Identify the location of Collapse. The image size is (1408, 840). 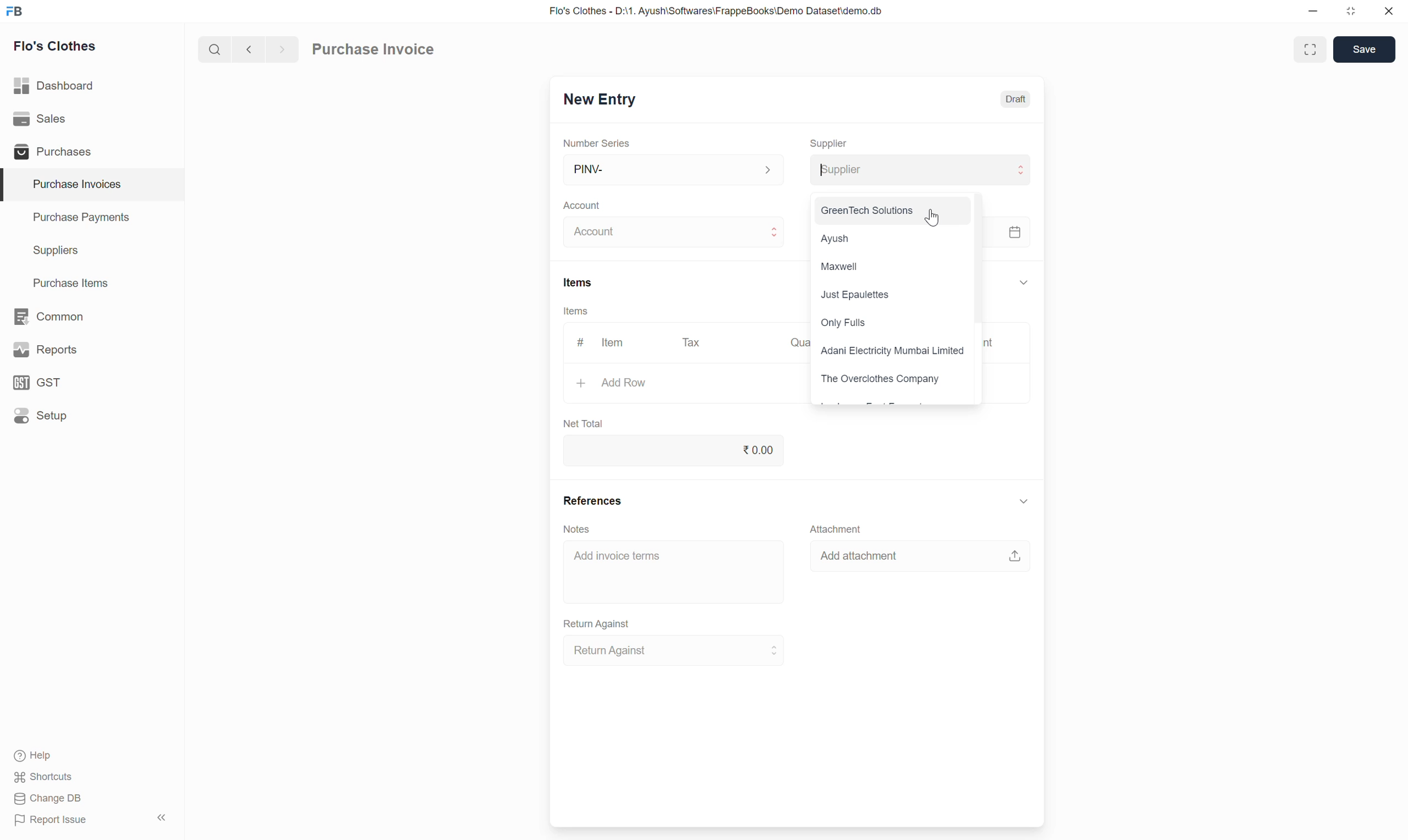
(1025, 282).